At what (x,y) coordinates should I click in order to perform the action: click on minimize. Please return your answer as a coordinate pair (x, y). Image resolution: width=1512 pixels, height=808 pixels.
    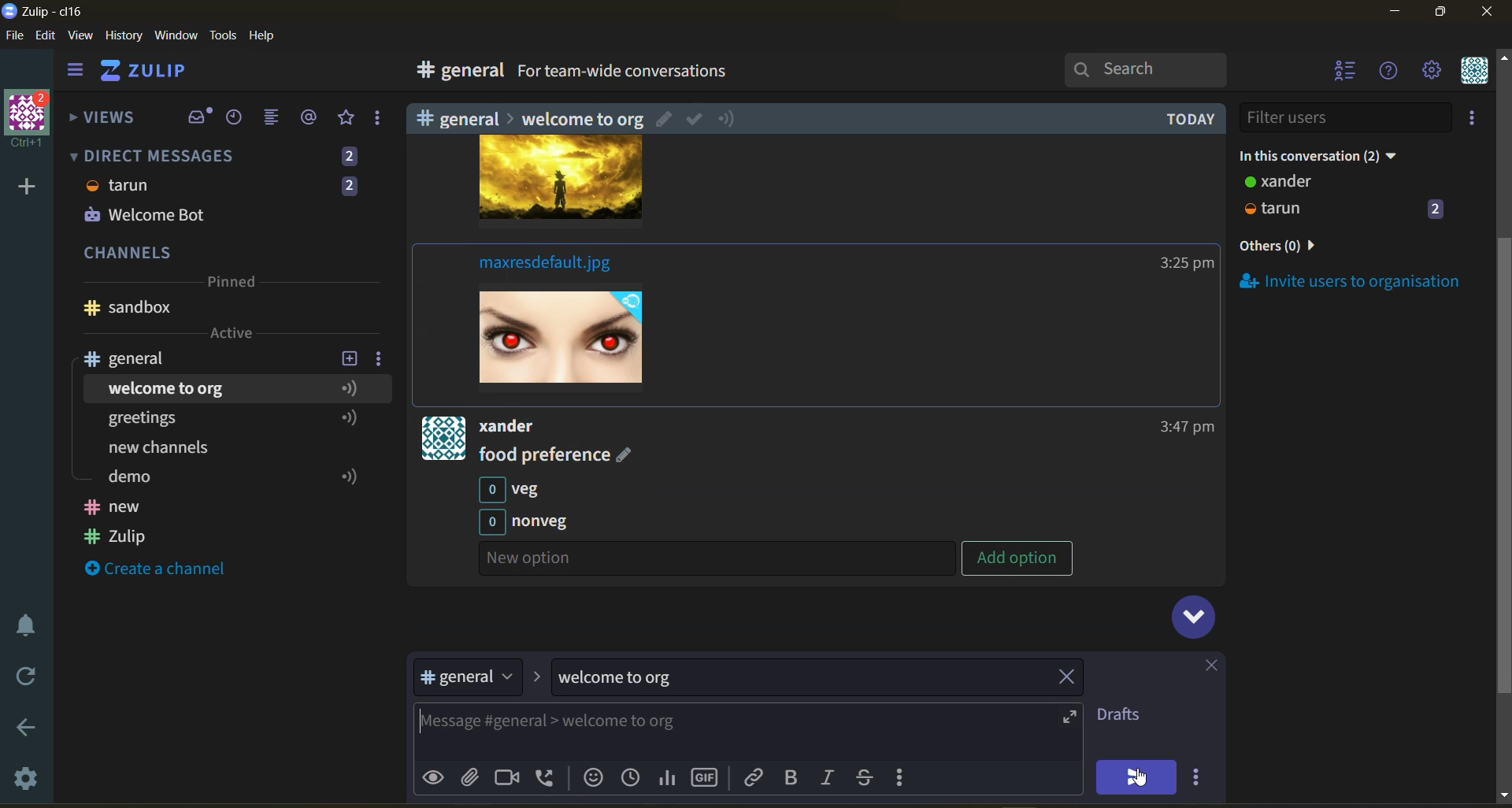
    Looking at the image, I should click on (1395, 14).